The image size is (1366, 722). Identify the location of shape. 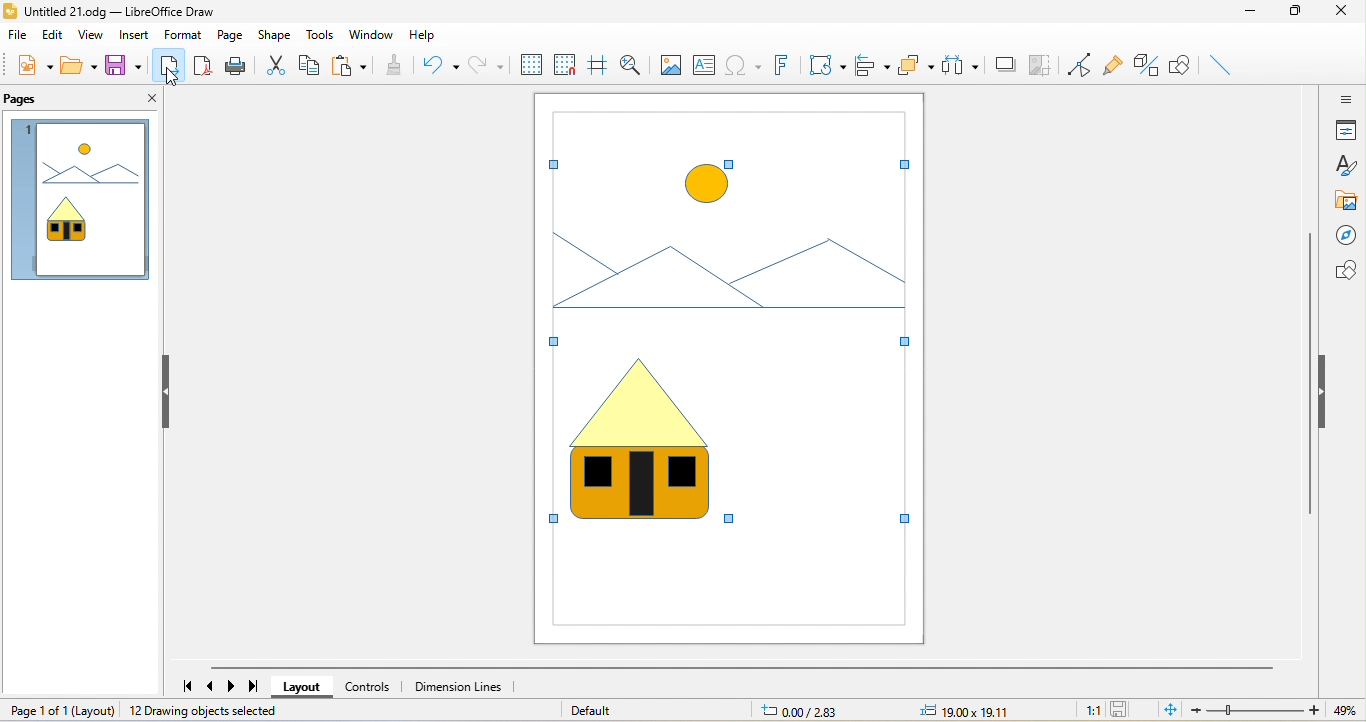
(276, 35).